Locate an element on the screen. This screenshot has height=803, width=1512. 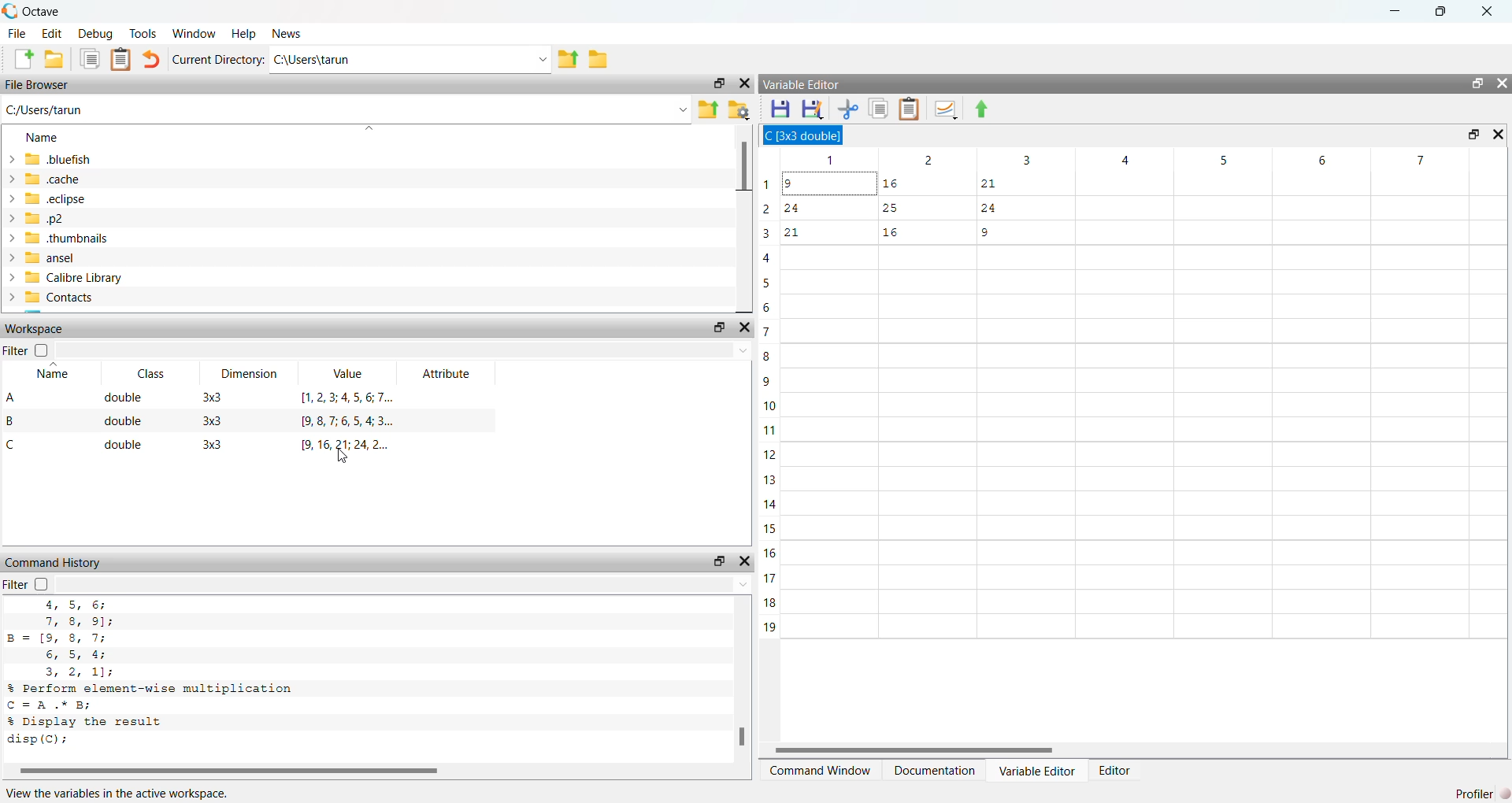
Folder is located at coordinates (598, 60).